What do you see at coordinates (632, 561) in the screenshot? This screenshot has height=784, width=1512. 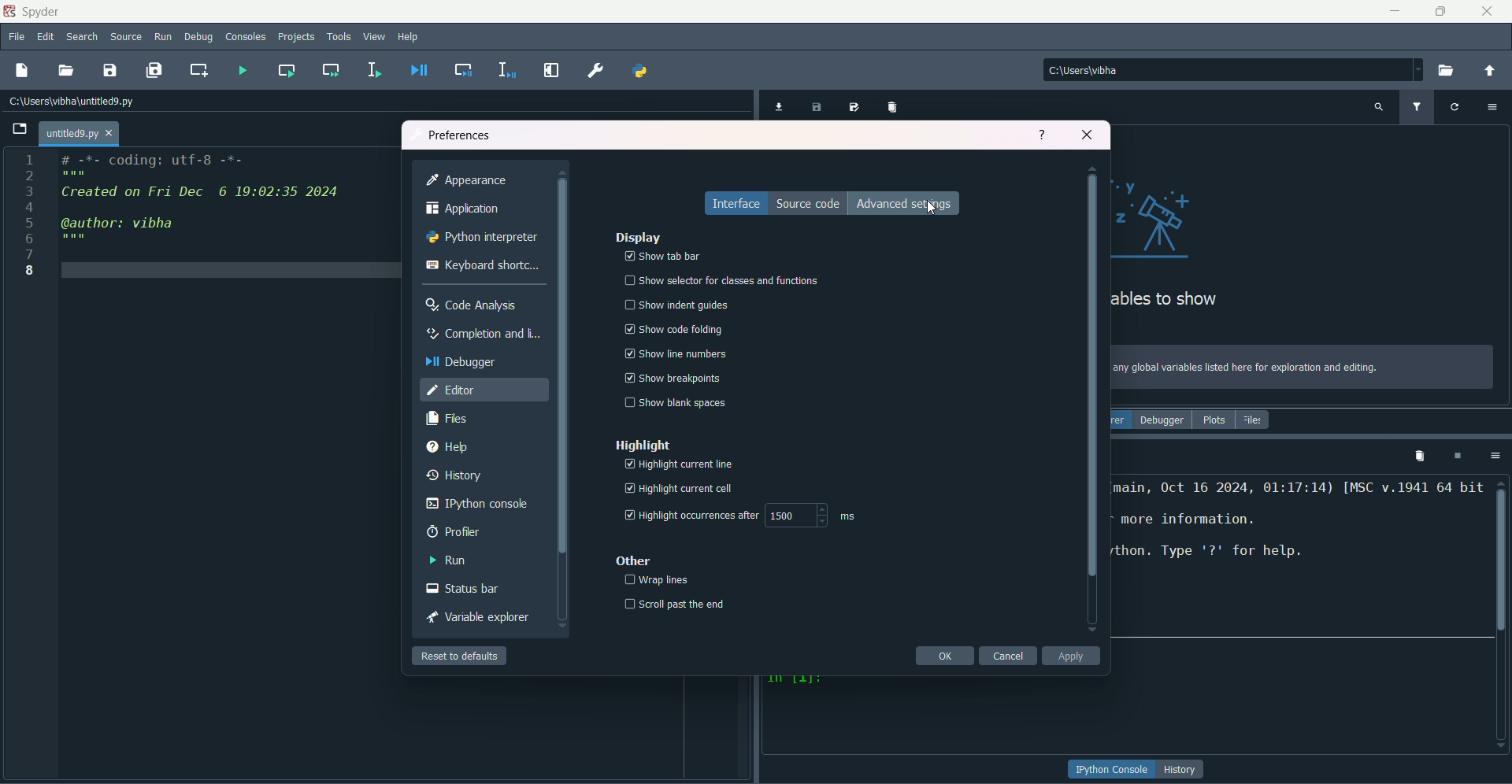 I see `other` at bounding box center [632, 561].